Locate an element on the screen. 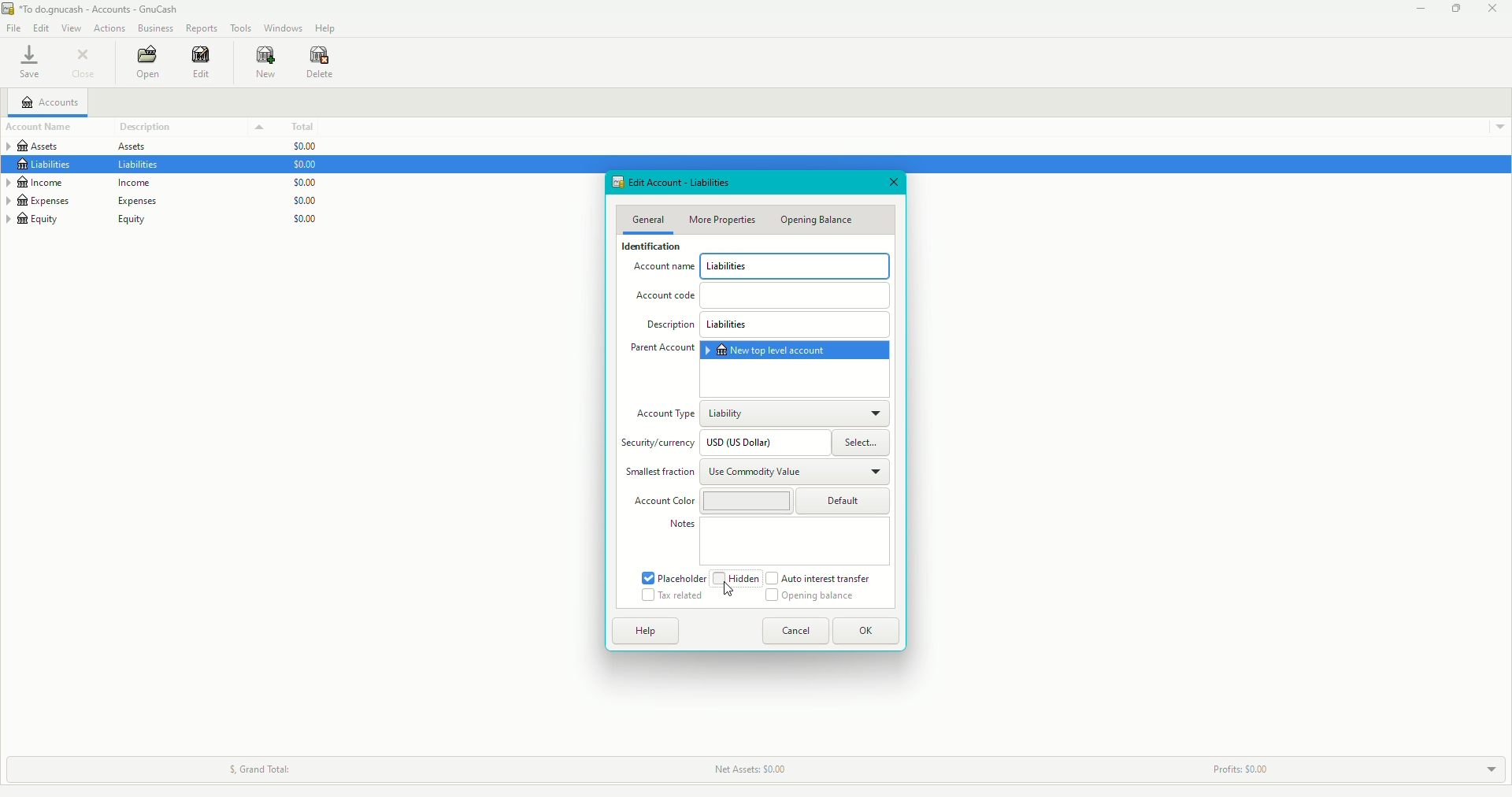 The image size is (1512, 797). Liabilities is located at coordinates (93, 167).